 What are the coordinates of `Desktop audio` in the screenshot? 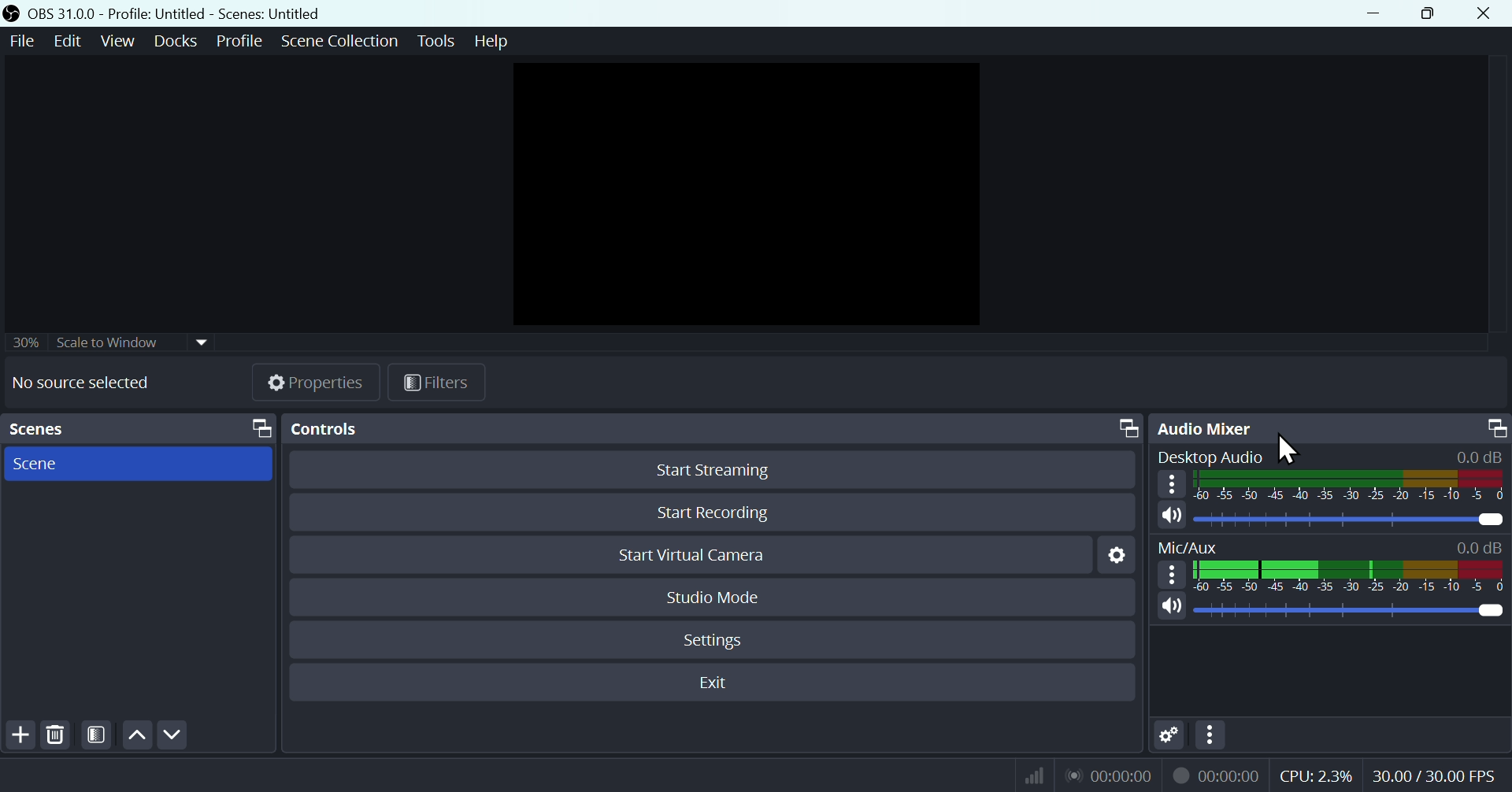 It's located at (1214, 458).